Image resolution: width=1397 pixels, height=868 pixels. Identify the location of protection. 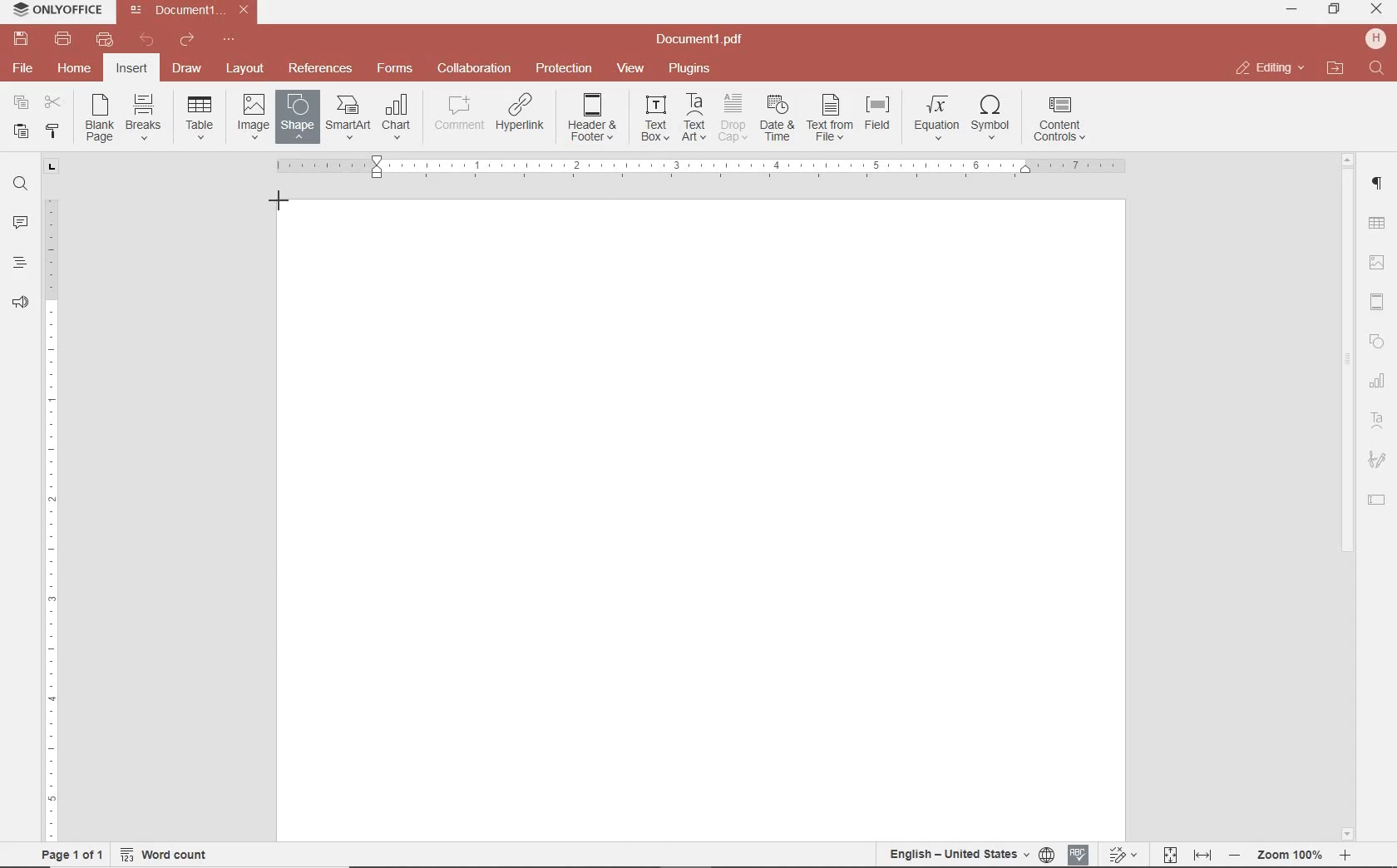
(565, 69).